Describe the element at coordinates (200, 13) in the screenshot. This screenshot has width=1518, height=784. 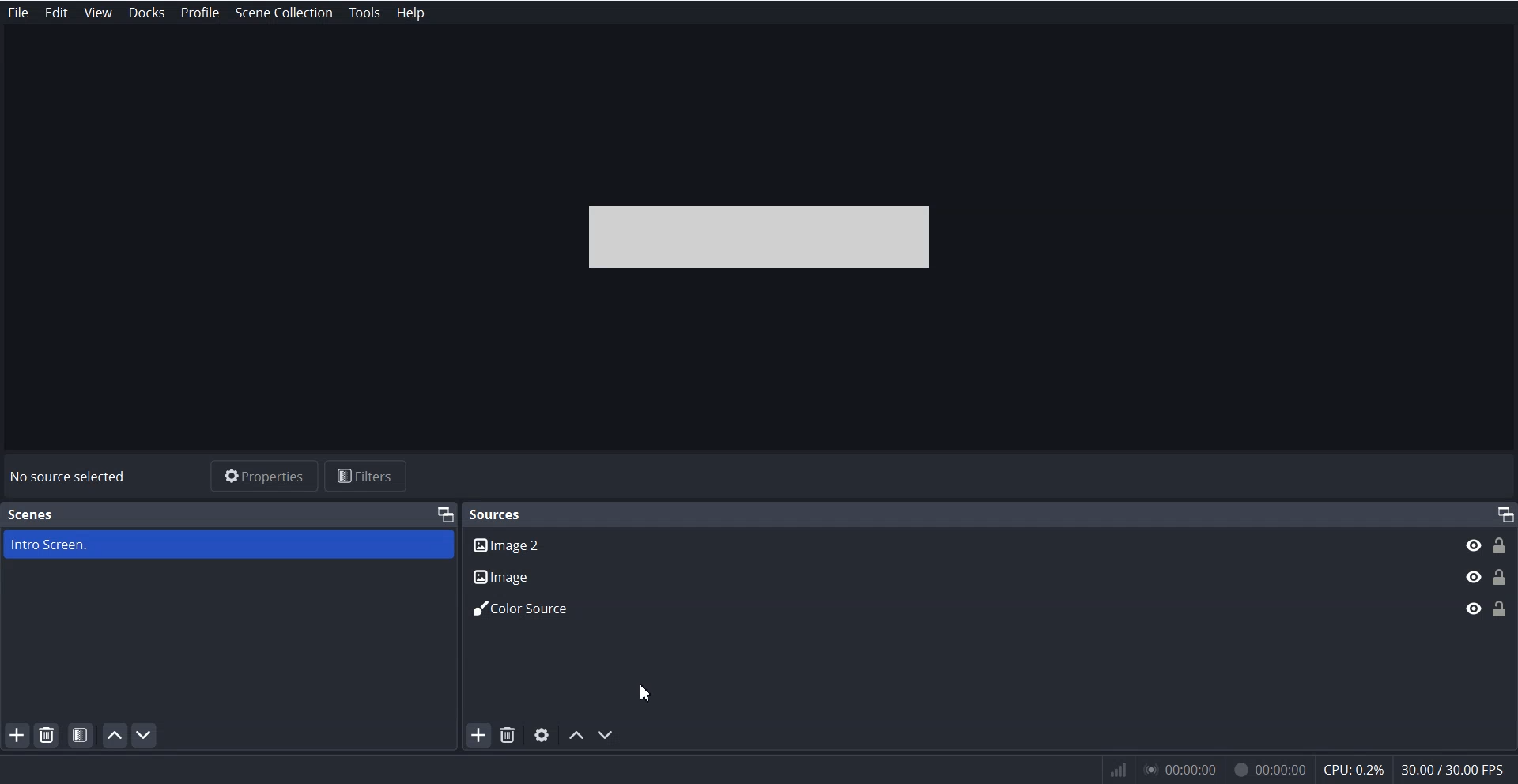
I see `Profile` at that location.